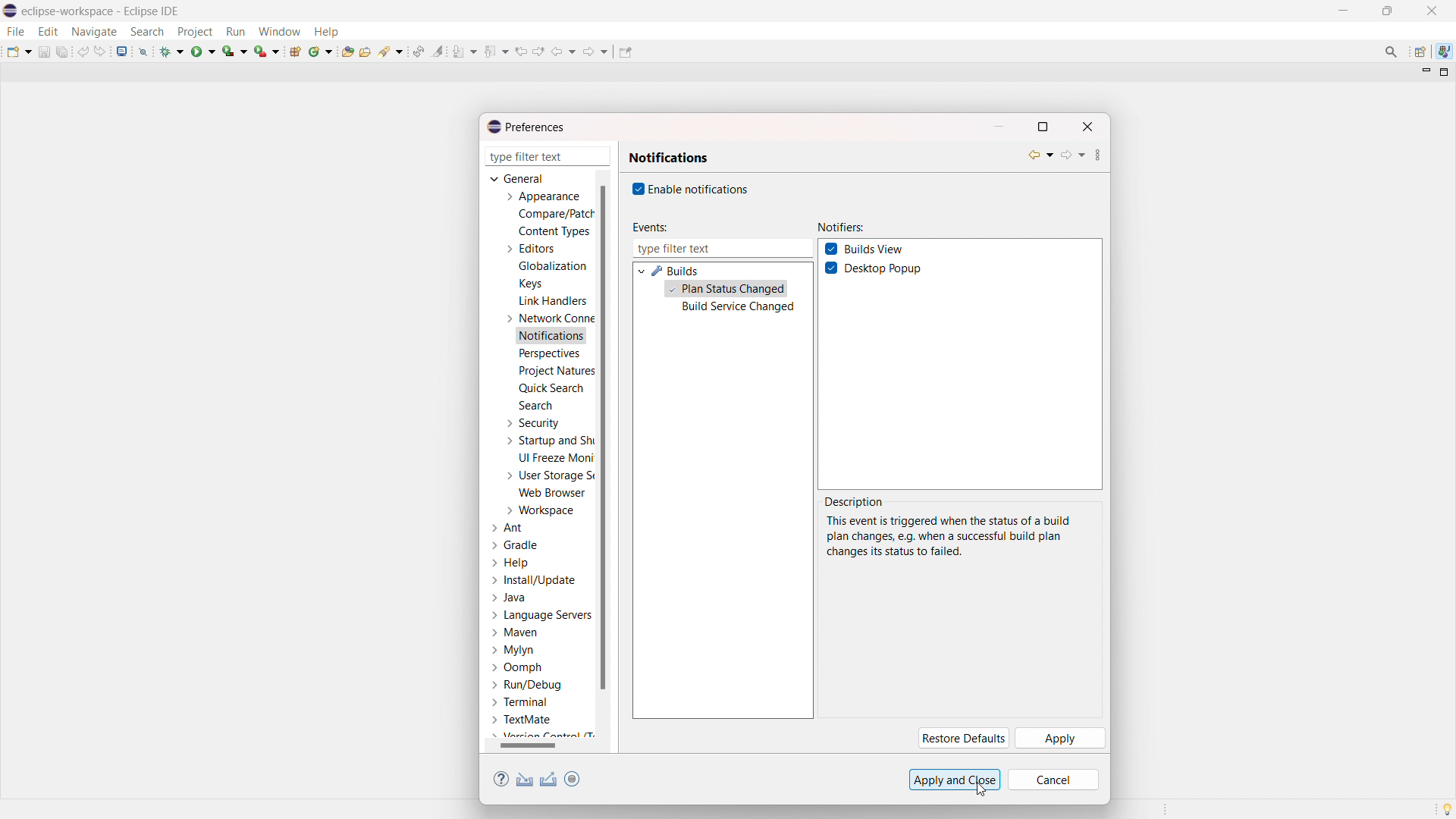 This screenshot has height=819, width=1456. Describe the element at coordinates (555, 370) in the screenshot. I see `project natures` at that location.